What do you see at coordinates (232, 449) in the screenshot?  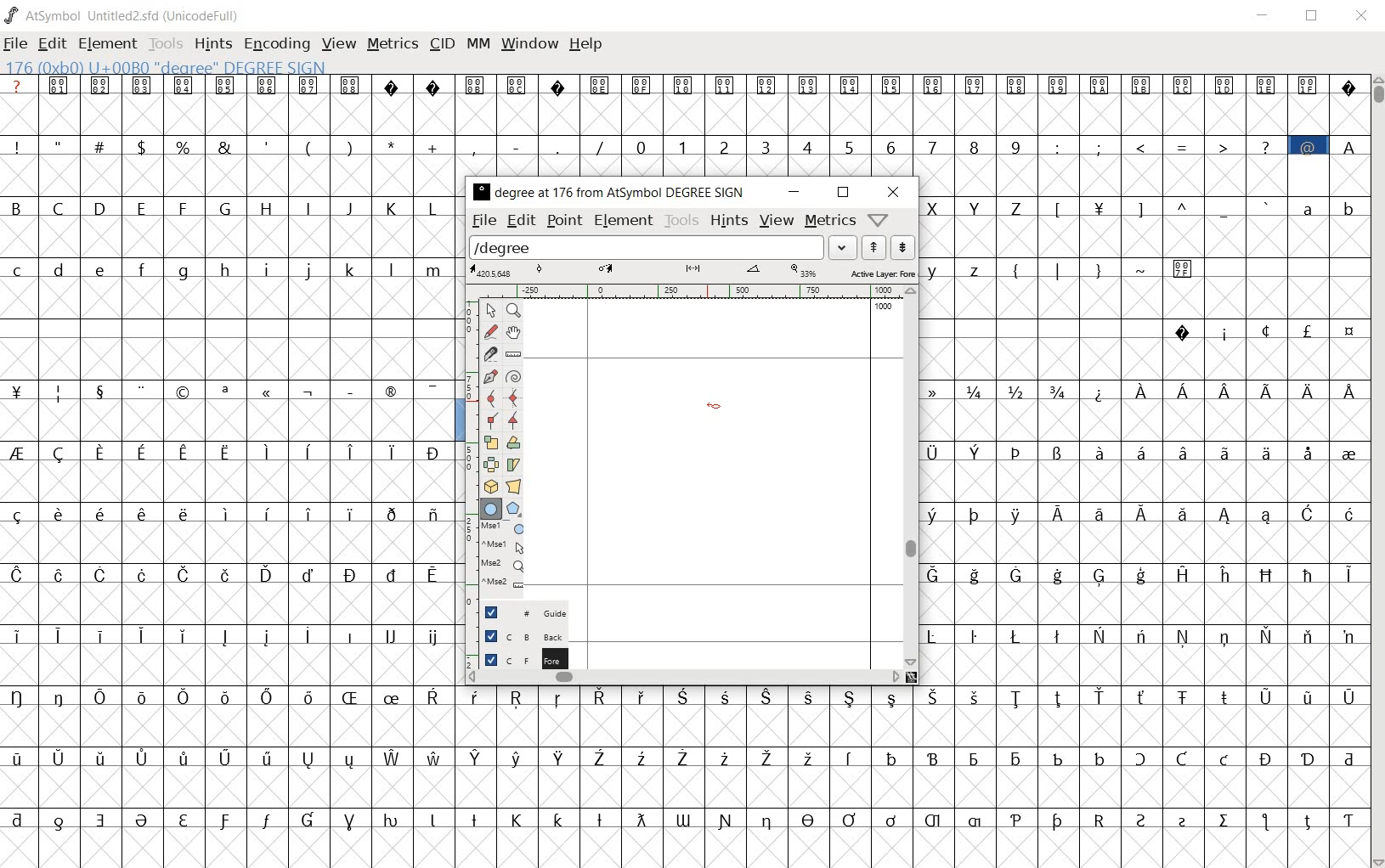 I see `special letters` at bounding box center [232, 449].